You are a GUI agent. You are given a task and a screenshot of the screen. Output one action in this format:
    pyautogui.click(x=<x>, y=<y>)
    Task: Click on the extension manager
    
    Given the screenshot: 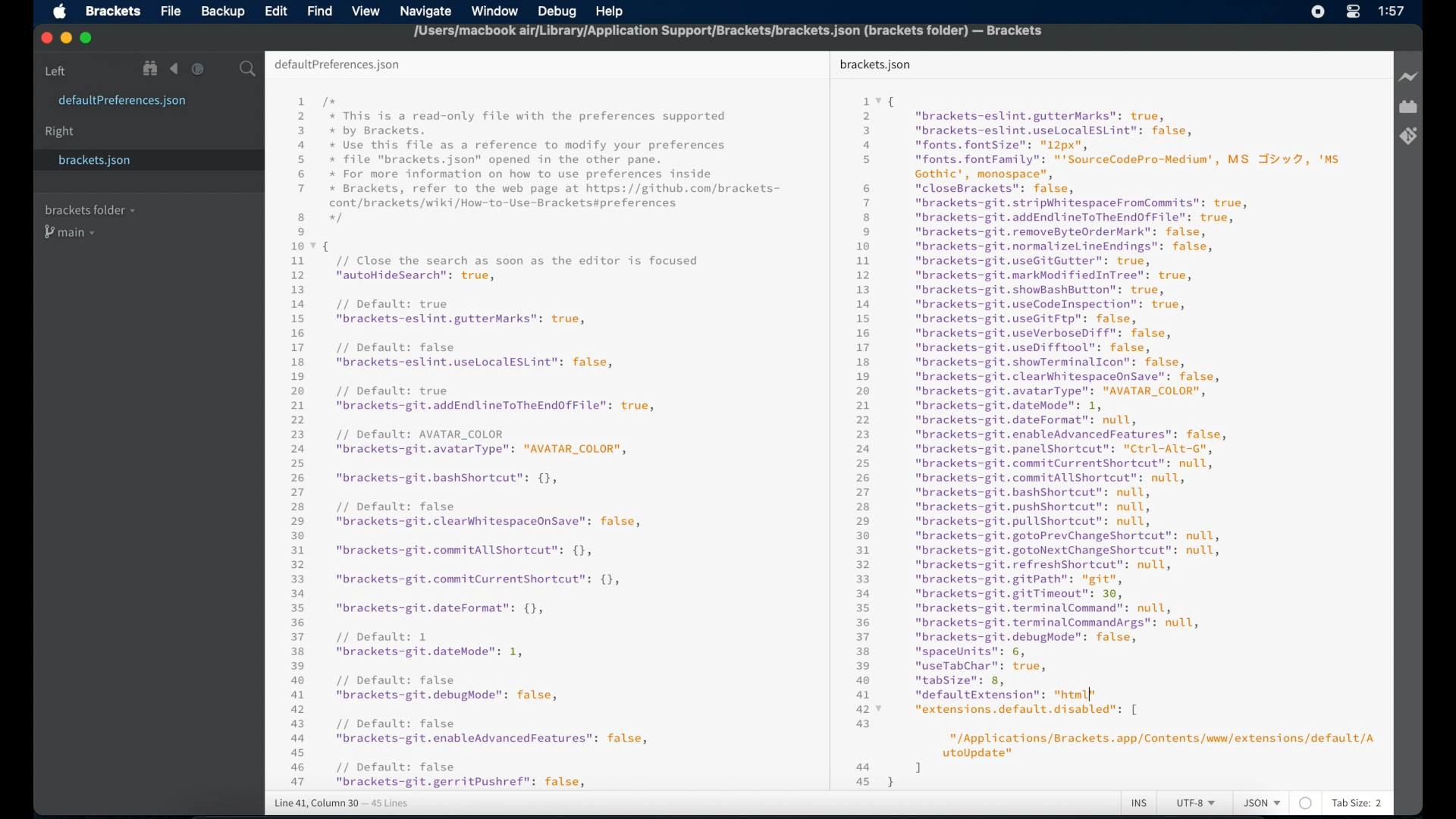 What is the action you would take?
    pyautogui.click(x=1408, y=108)
    